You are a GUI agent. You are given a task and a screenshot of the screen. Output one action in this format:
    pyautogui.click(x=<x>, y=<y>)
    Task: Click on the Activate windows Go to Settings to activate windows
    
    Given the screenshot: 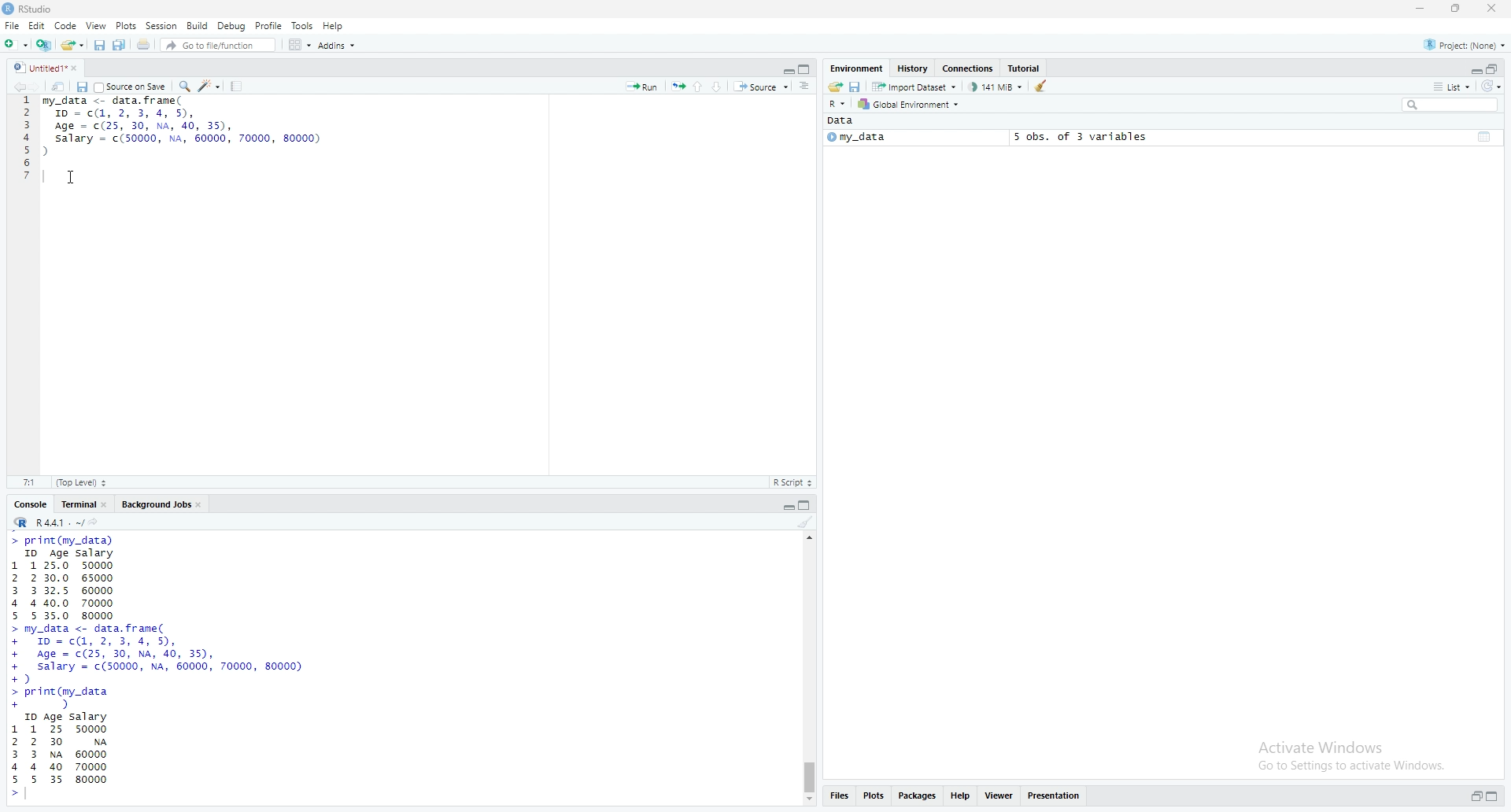 What is the action you would take?
    pyautogui.click(x=1337, y=755)
    